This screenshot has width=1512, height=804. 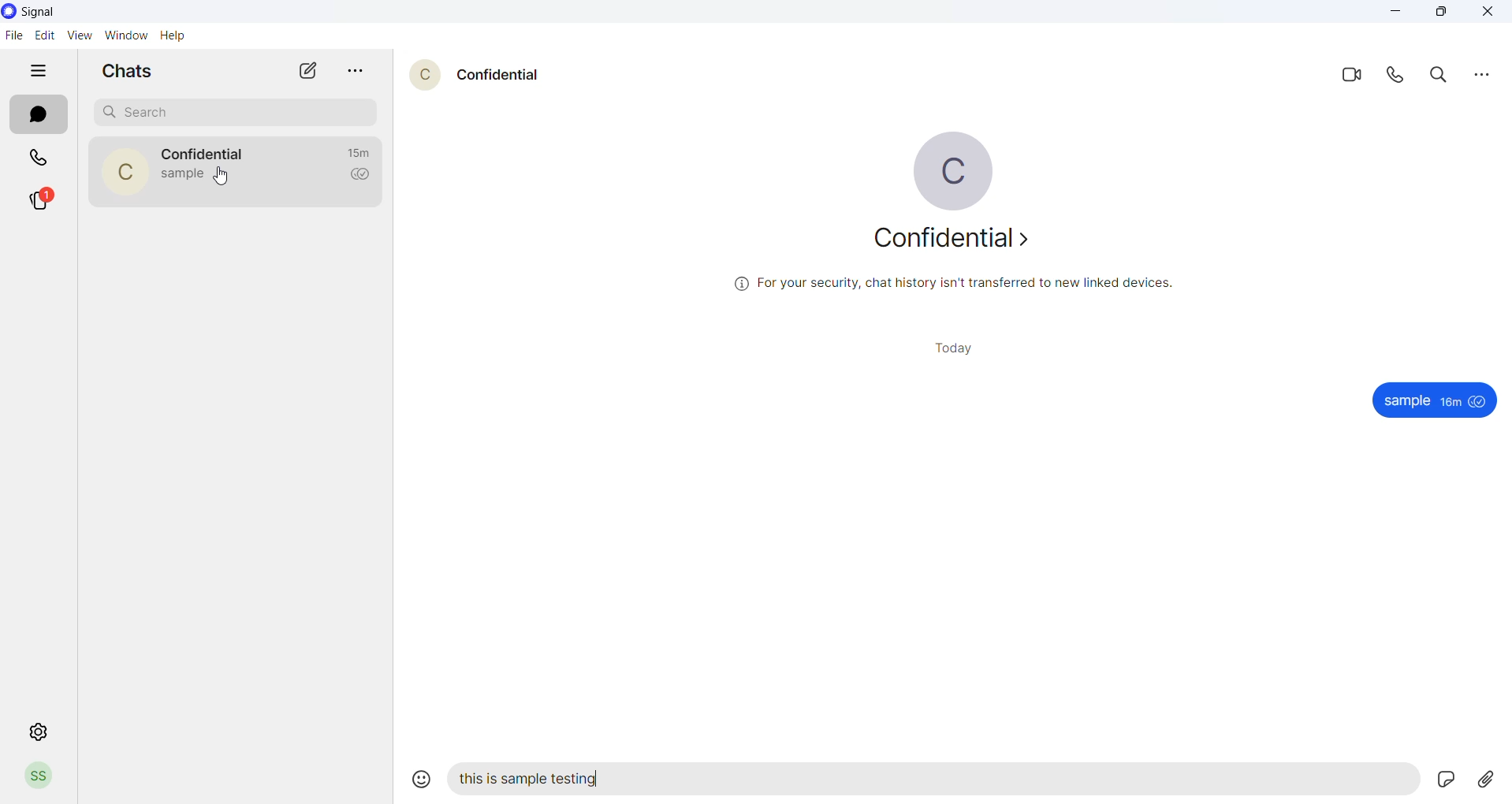 I want to click on options, so click(x=1480, y=77).